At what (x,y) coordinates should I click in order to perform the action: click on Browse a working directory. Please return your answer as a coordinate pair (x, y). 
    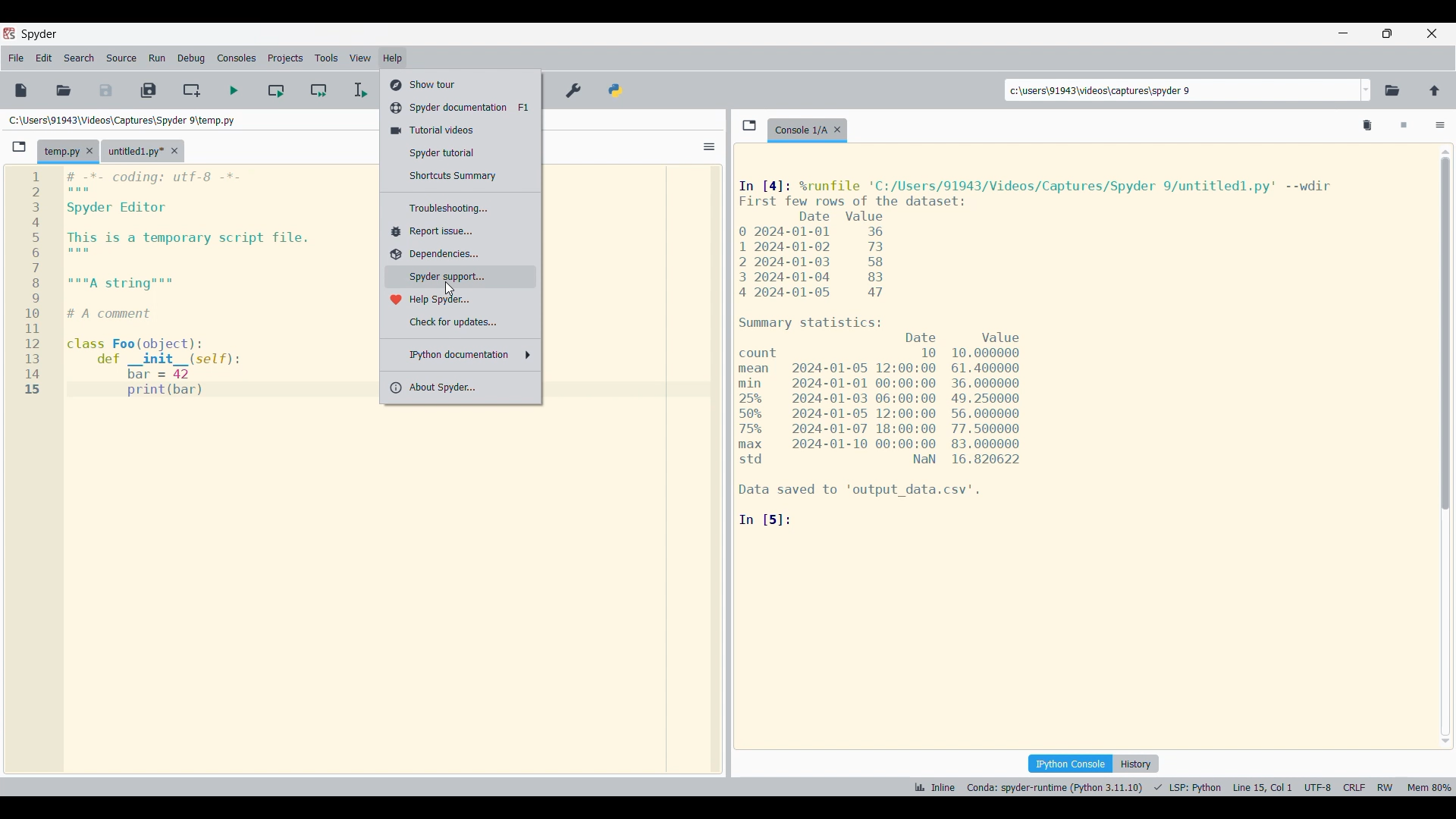
    Looking at the image, I should click on (1392, 91).